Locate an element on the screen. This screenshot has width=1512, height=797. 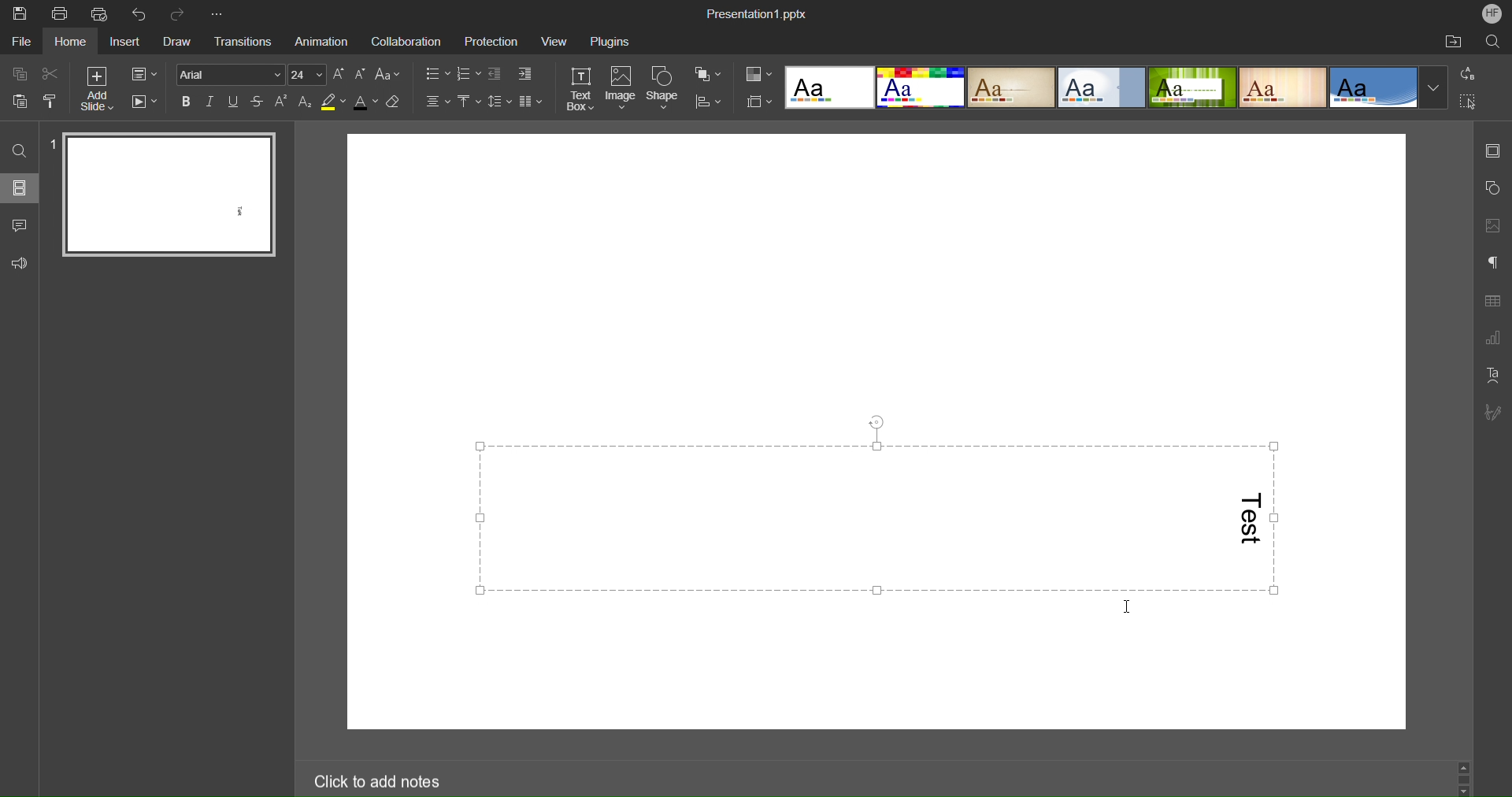
Collaboration is located at coordinates (406, 39).